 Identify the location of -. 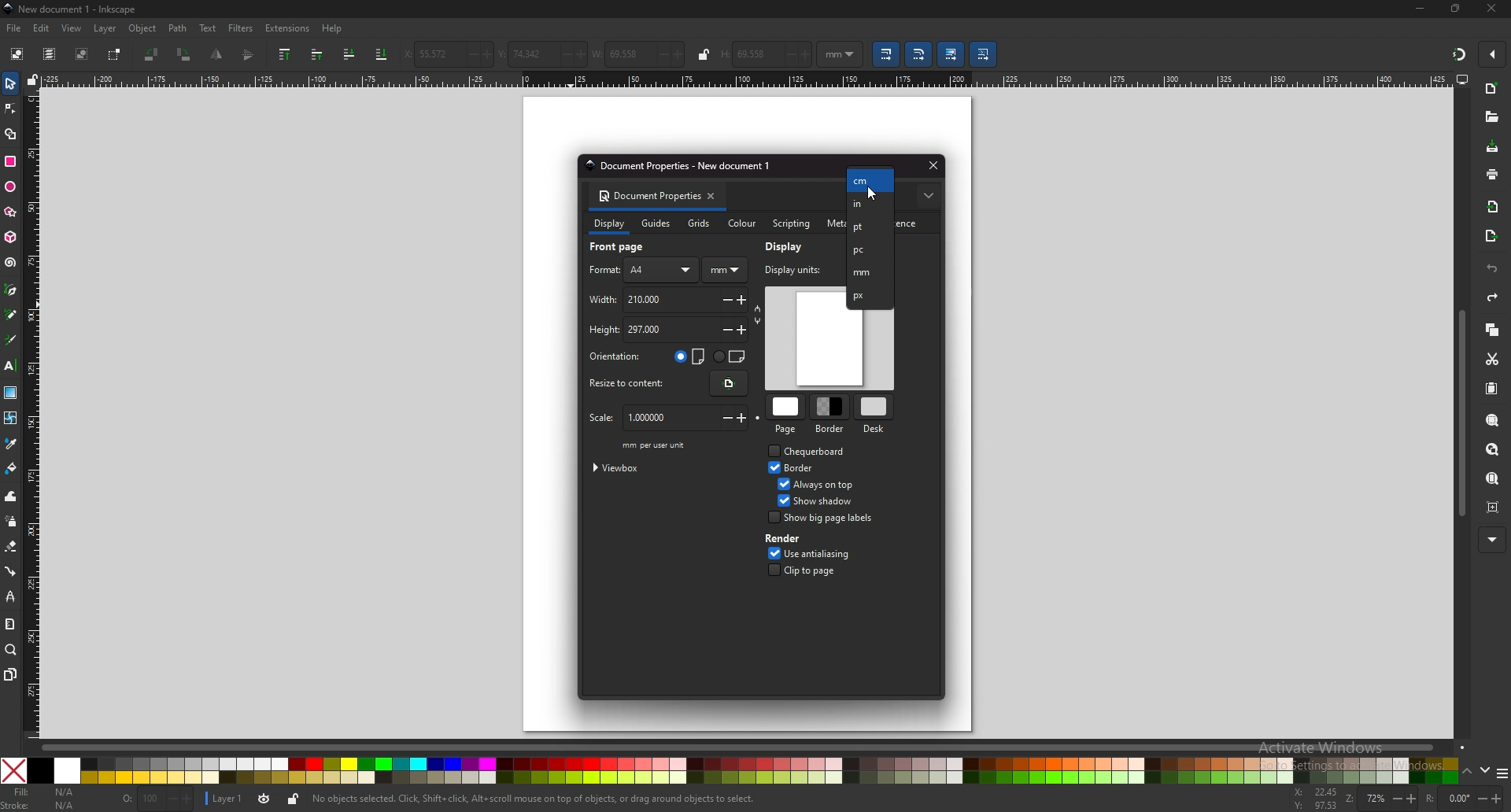
(465, 54).